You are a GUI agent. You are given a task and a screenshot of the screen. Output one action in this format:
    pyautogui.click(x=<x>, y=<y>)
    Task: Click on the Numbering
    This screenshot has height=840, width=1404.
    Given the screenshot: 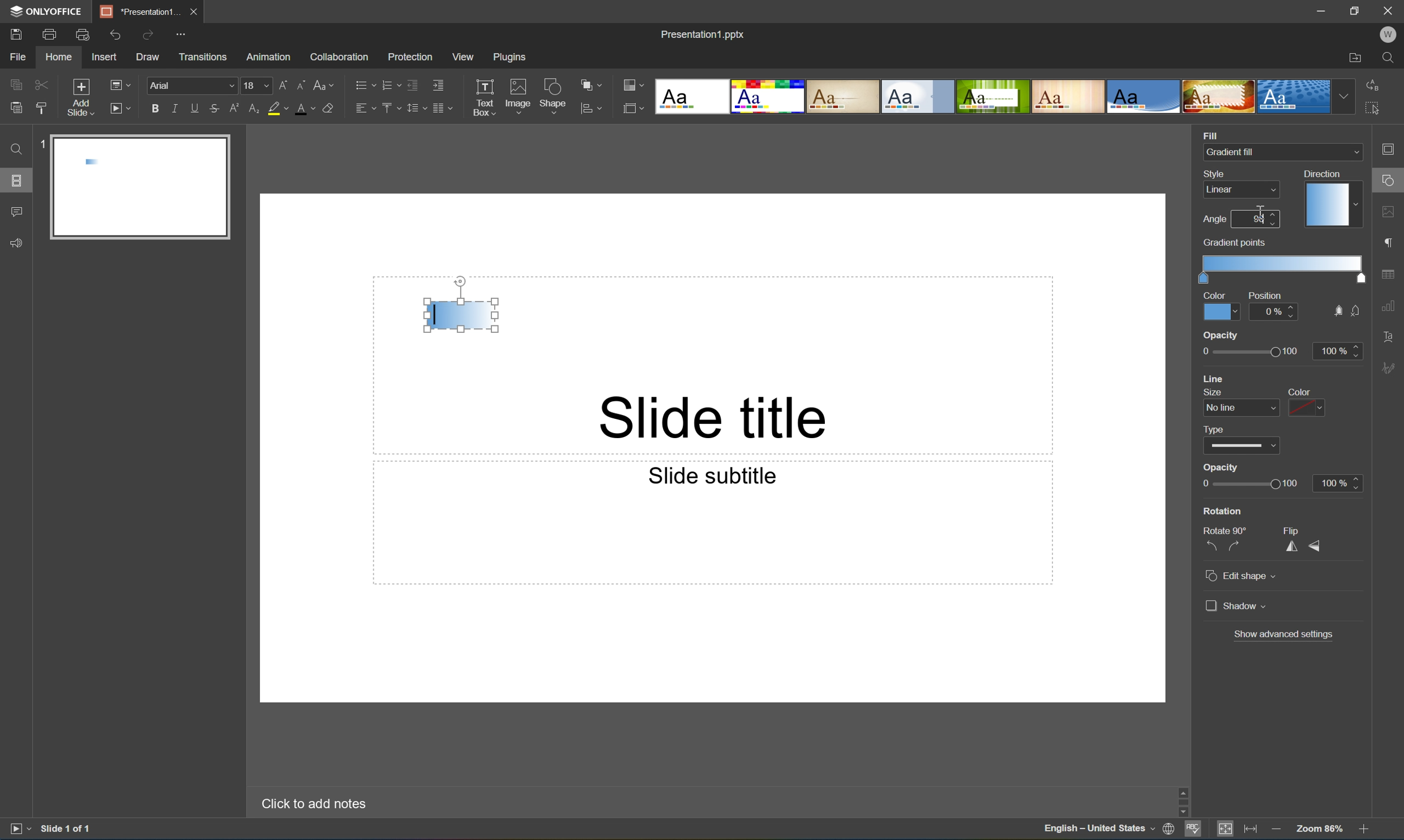 What is the action you would take?
    pyautogui.click(x=389, y=84)
    